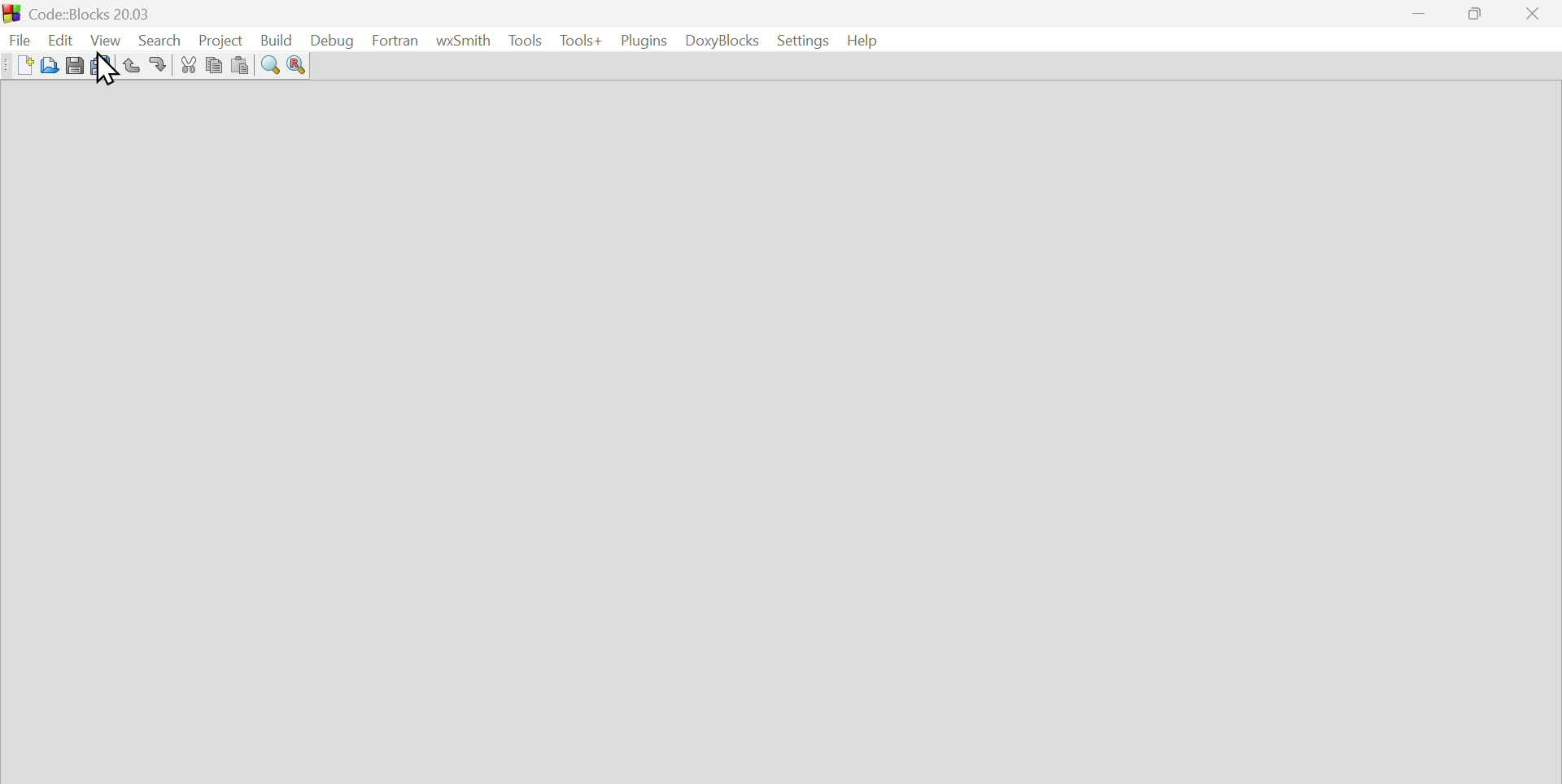 Image resolution: width=1562 pixels, height=784 pixels. Describe the element at coordinates (159, 65) in the screenshot. I see `Redo` at that location.